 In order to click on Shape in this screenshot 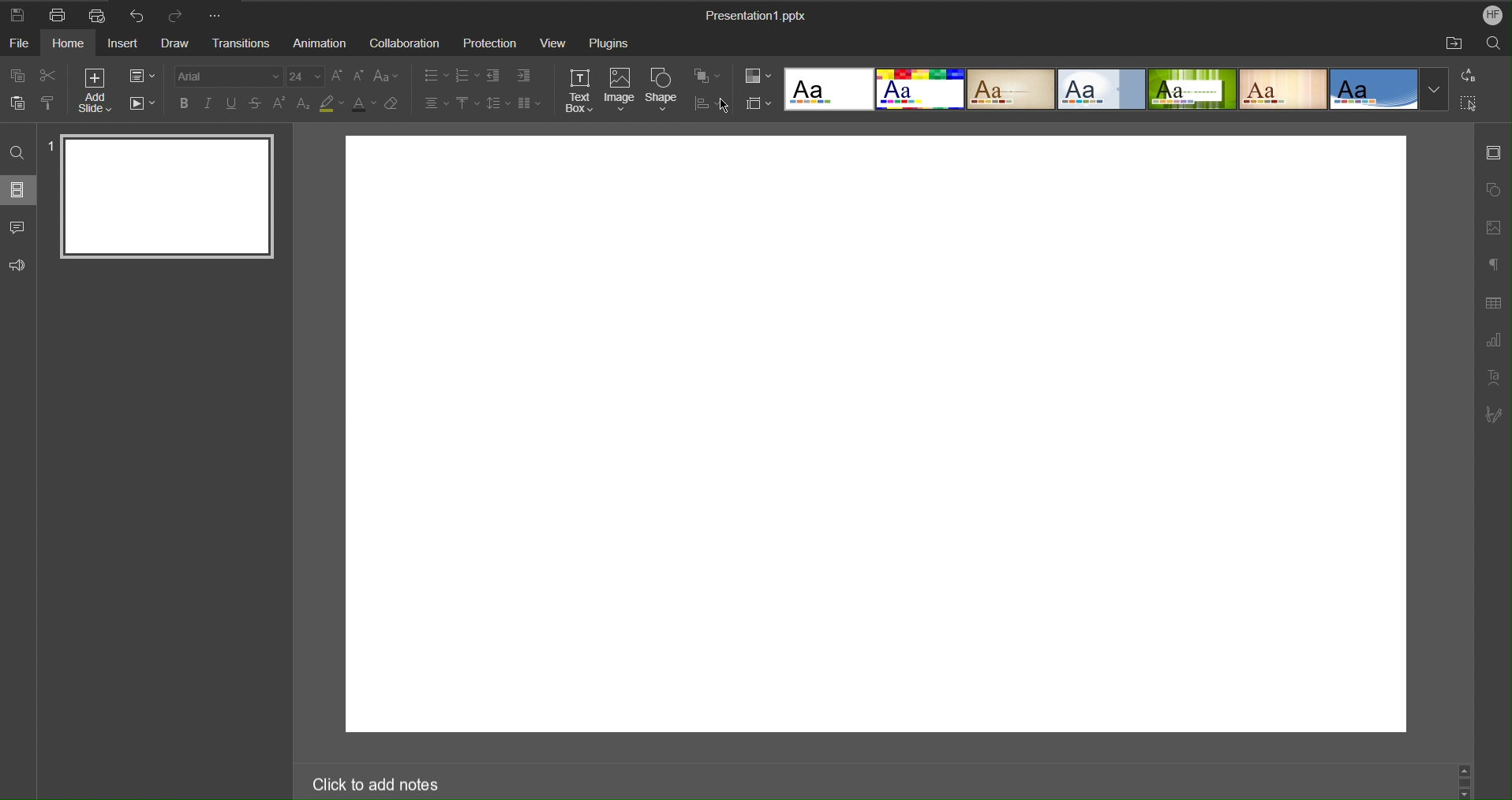, I will do `click(661, 91)`.